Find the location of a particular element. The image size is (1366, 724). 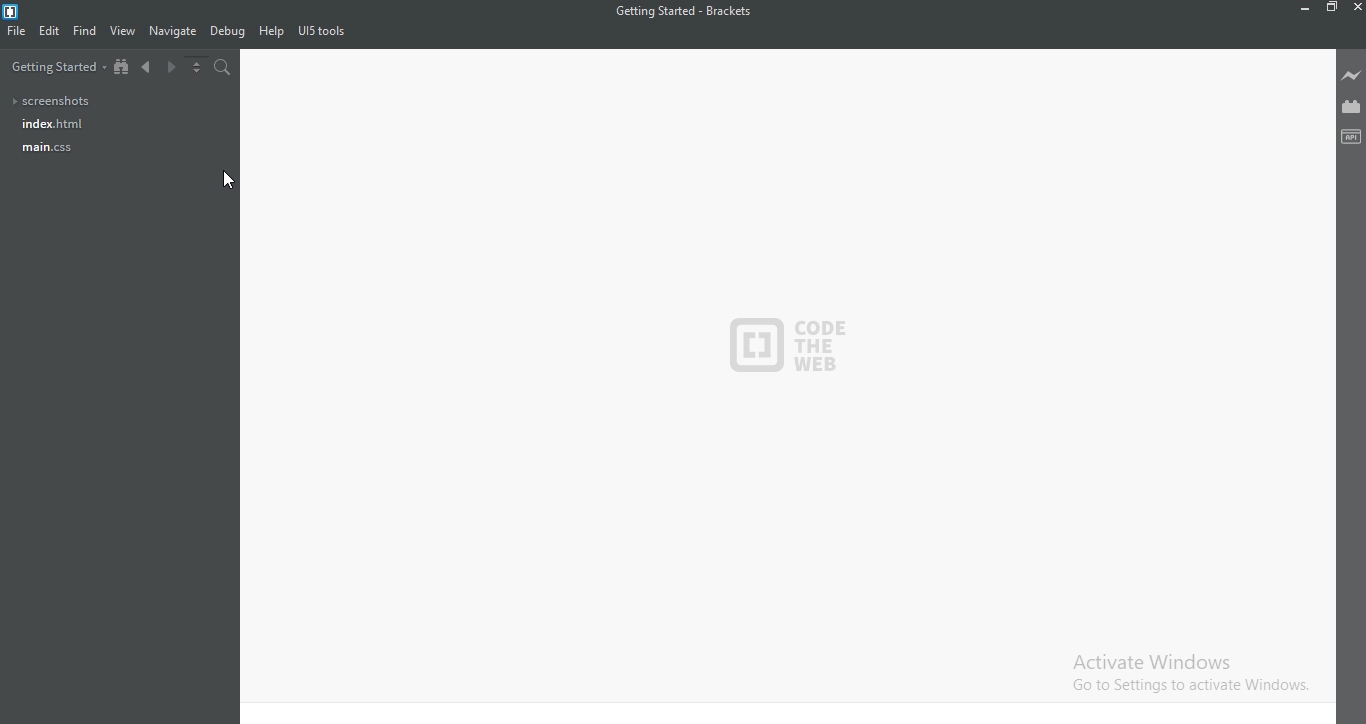

Index.html is located at coordinates (50, 124).